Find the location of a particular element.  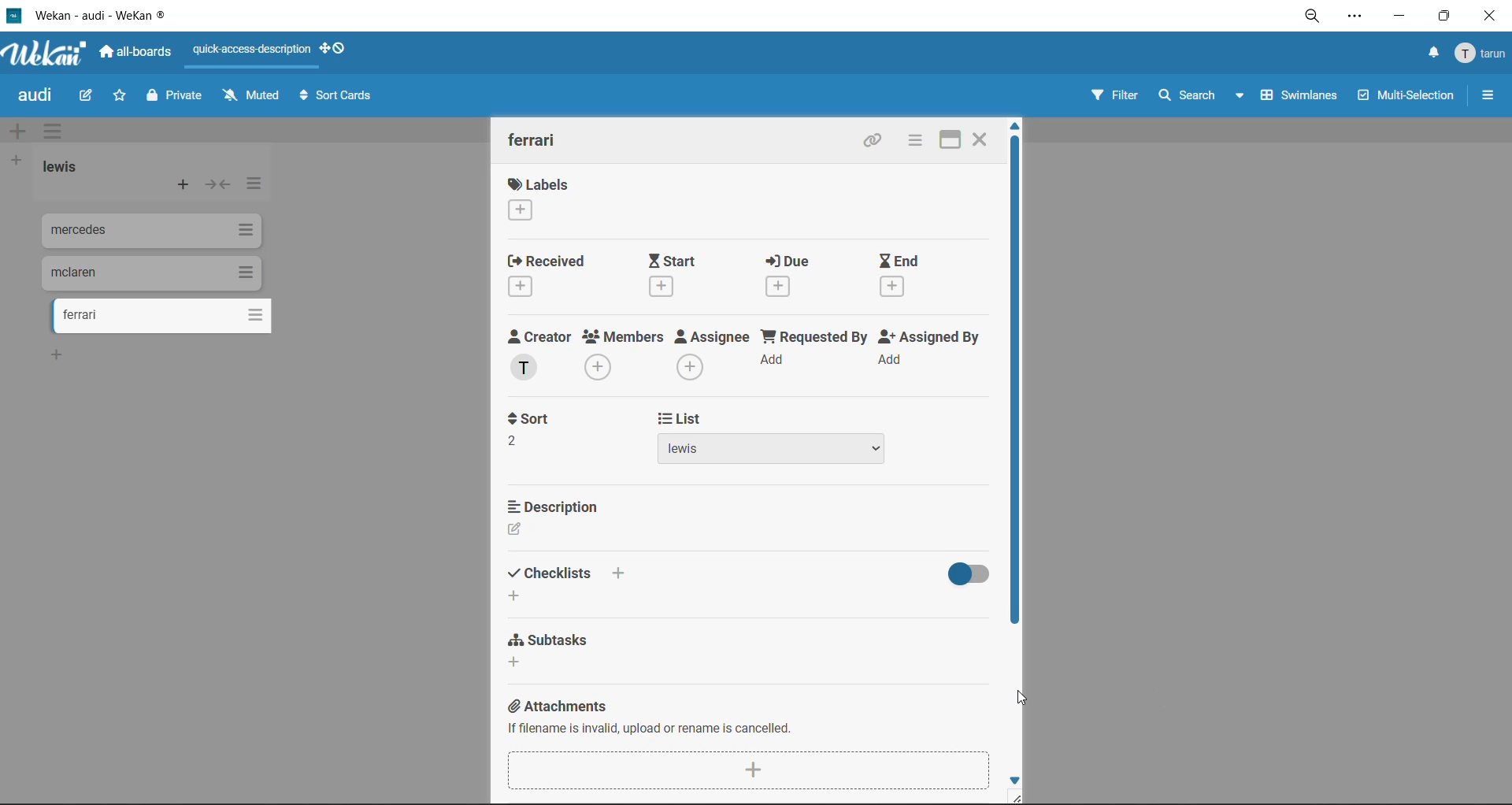

hide completed checklists is located at coordinates (967, 575).